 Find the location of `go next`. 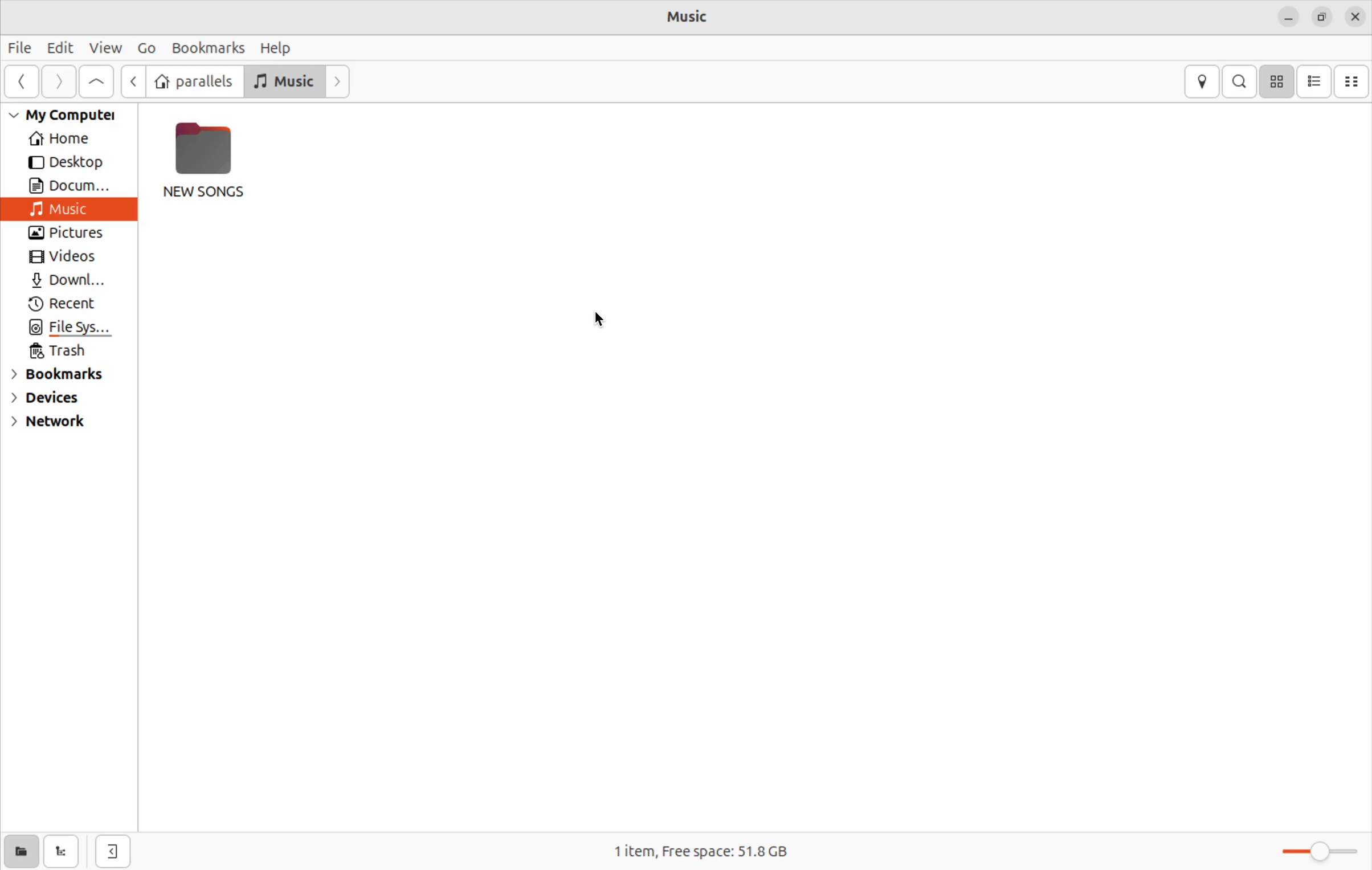

go next is located at coordinates (59, 82).